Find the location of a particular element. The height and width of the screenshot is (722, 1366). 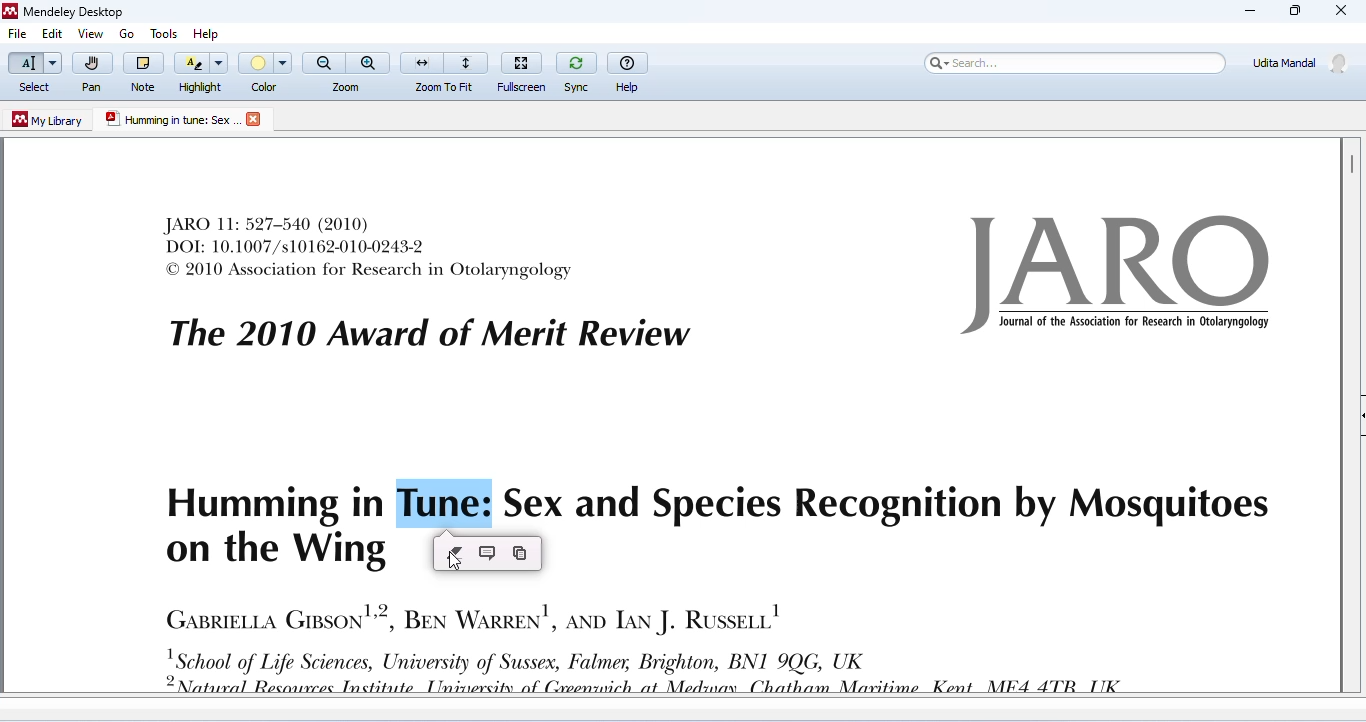

file is located at coordinates (18, 35).